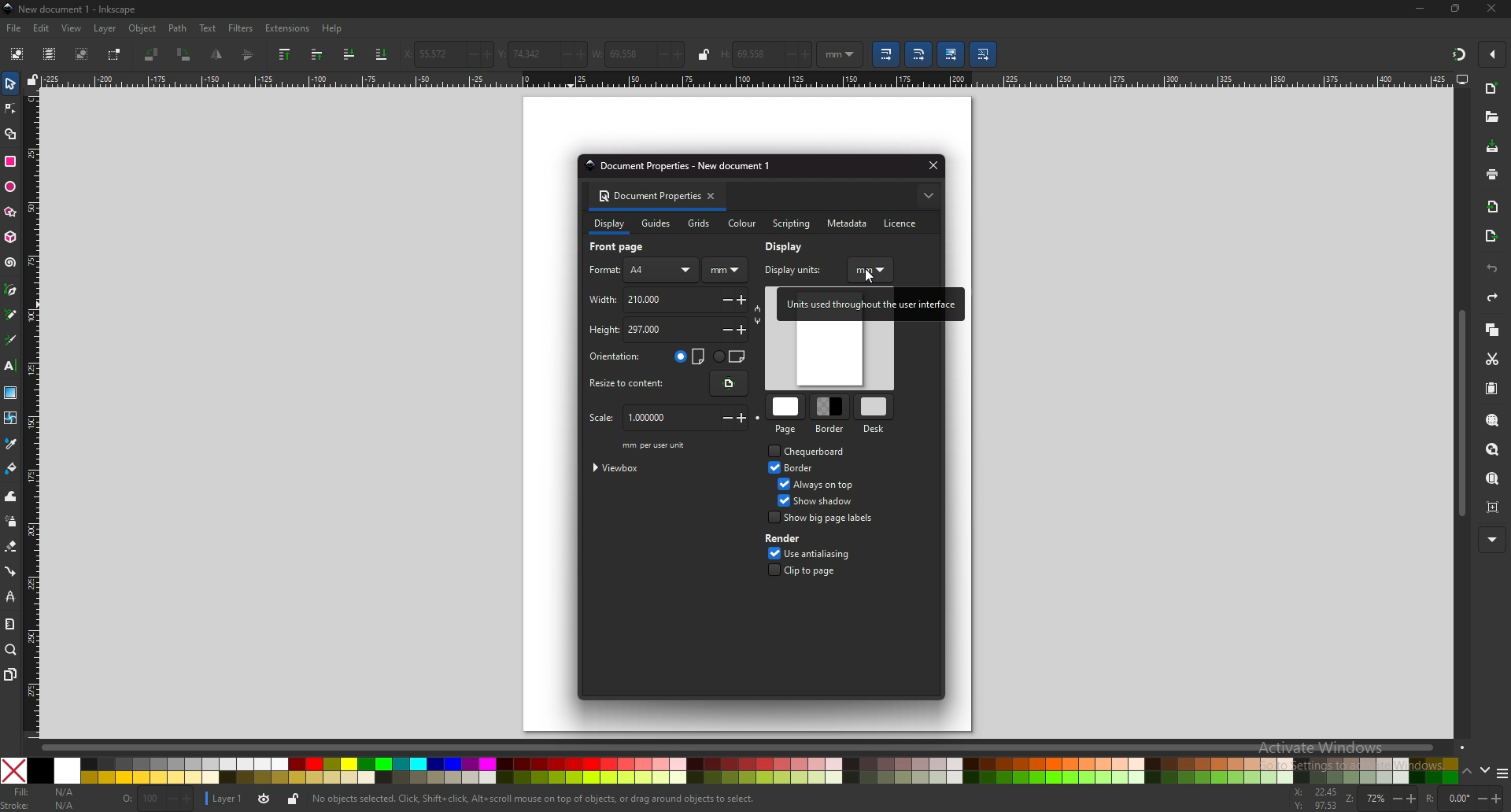  Describe the element at coordinates (11, 522) in the screenshot. I see `spray` at that location.